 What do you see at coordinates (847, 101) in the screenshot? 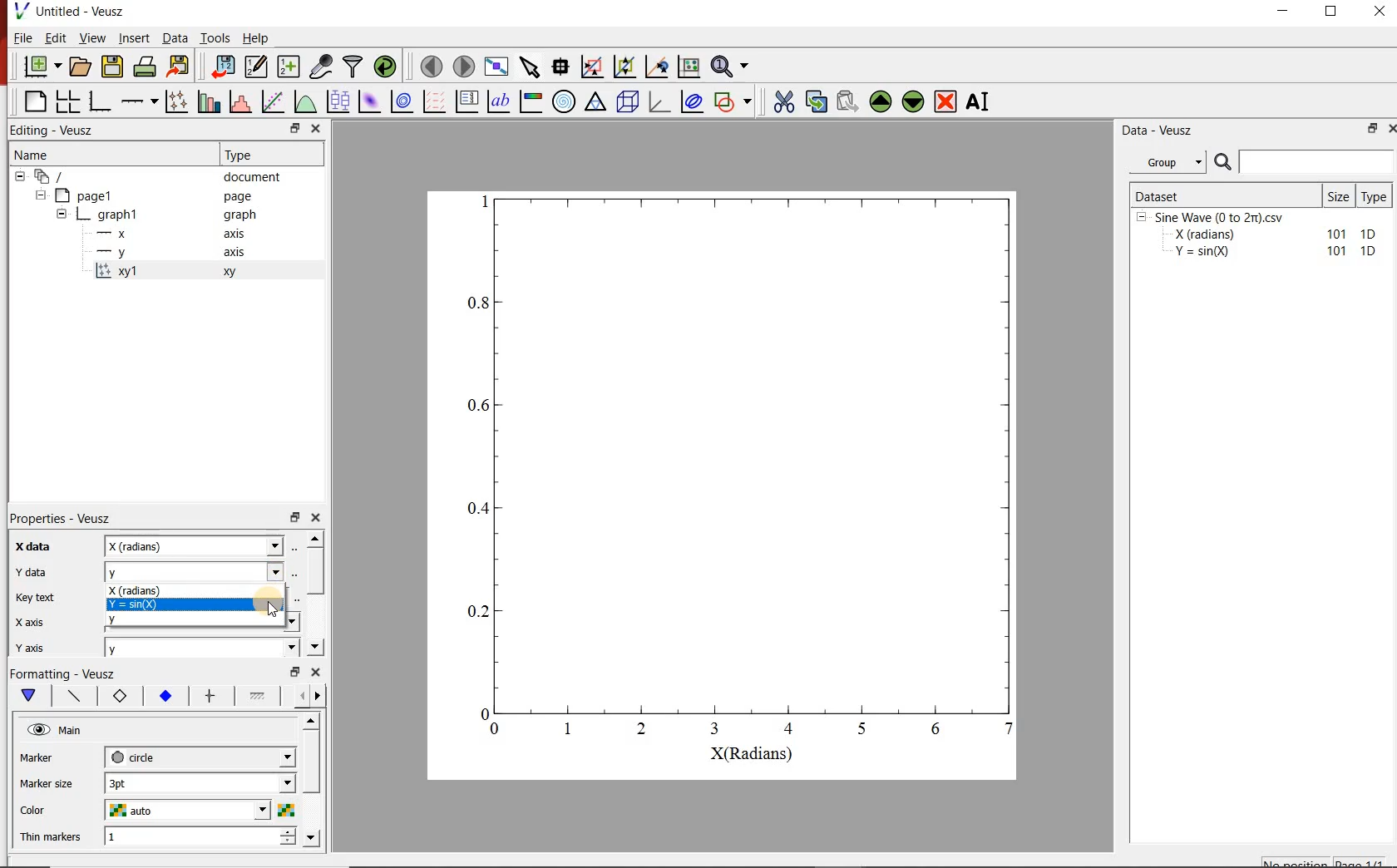
I see `paste` at bounding box center [847, 101].